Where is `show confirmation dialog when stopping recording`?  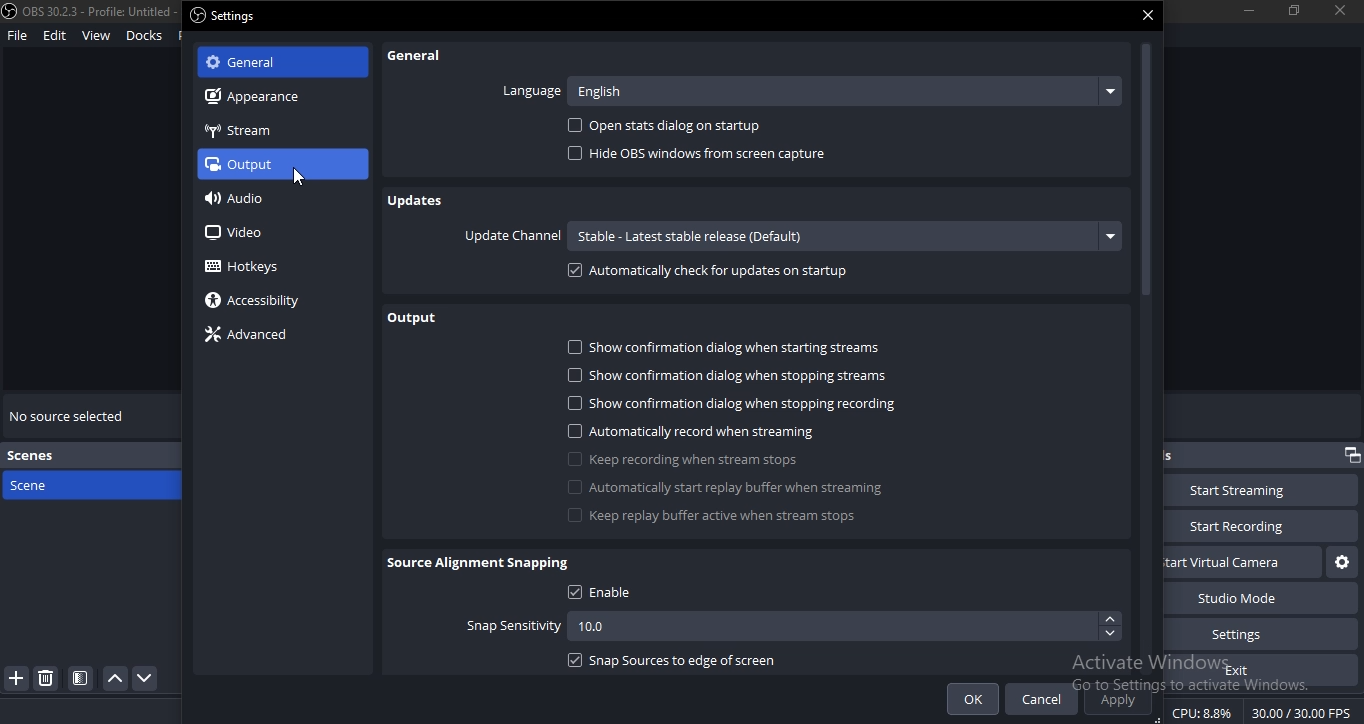 show confirmation dialog when stopping recording is located at coordinates (724, 403).